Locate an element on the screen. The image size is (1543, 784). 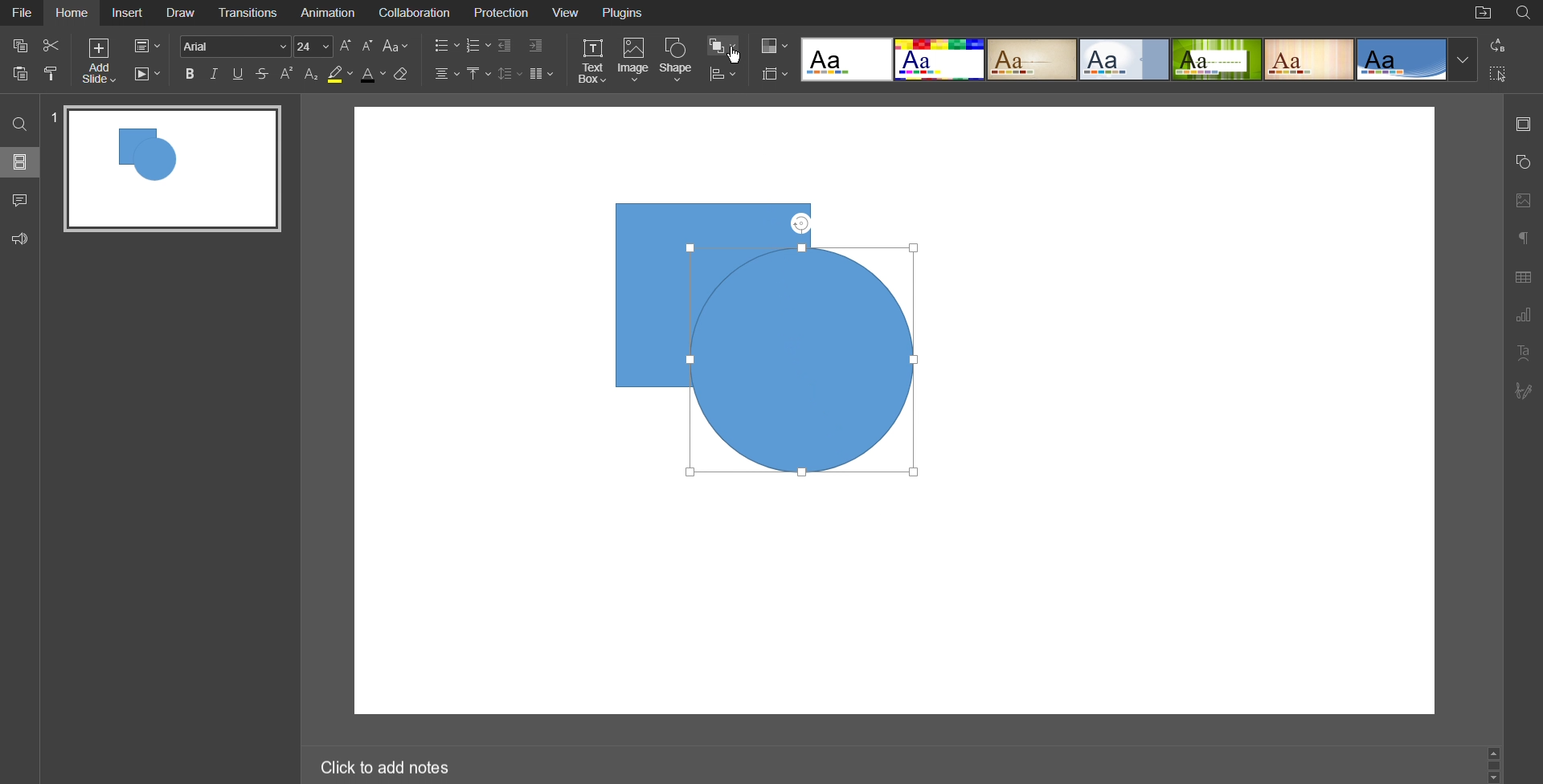
Bullet List is located at coordinates (446, 45).